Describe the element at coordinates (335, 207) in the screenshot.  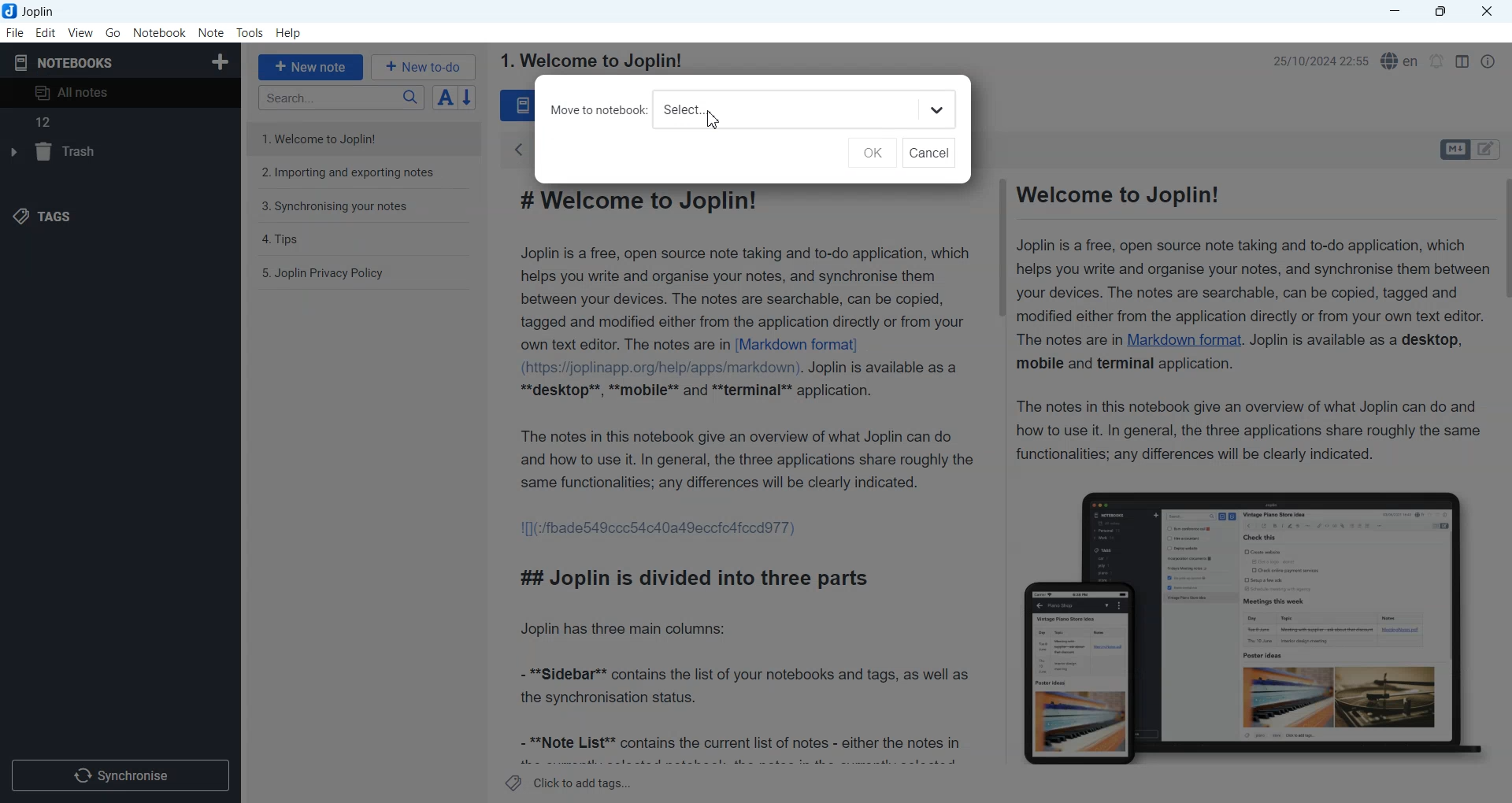
I see `3. Synchronising your notes` at that location.